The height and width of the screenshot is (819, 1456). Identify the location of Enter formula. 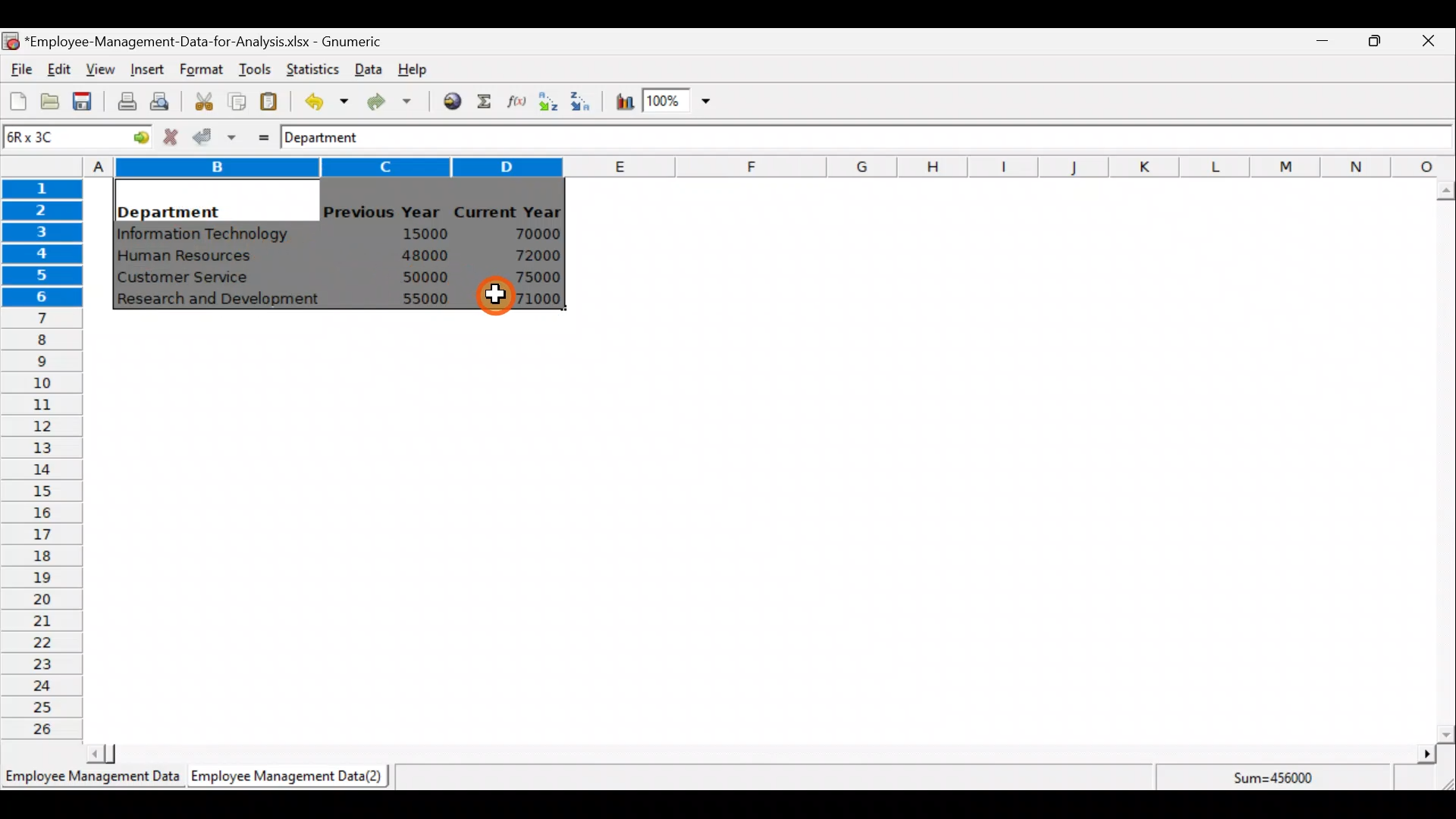
(259, 134).